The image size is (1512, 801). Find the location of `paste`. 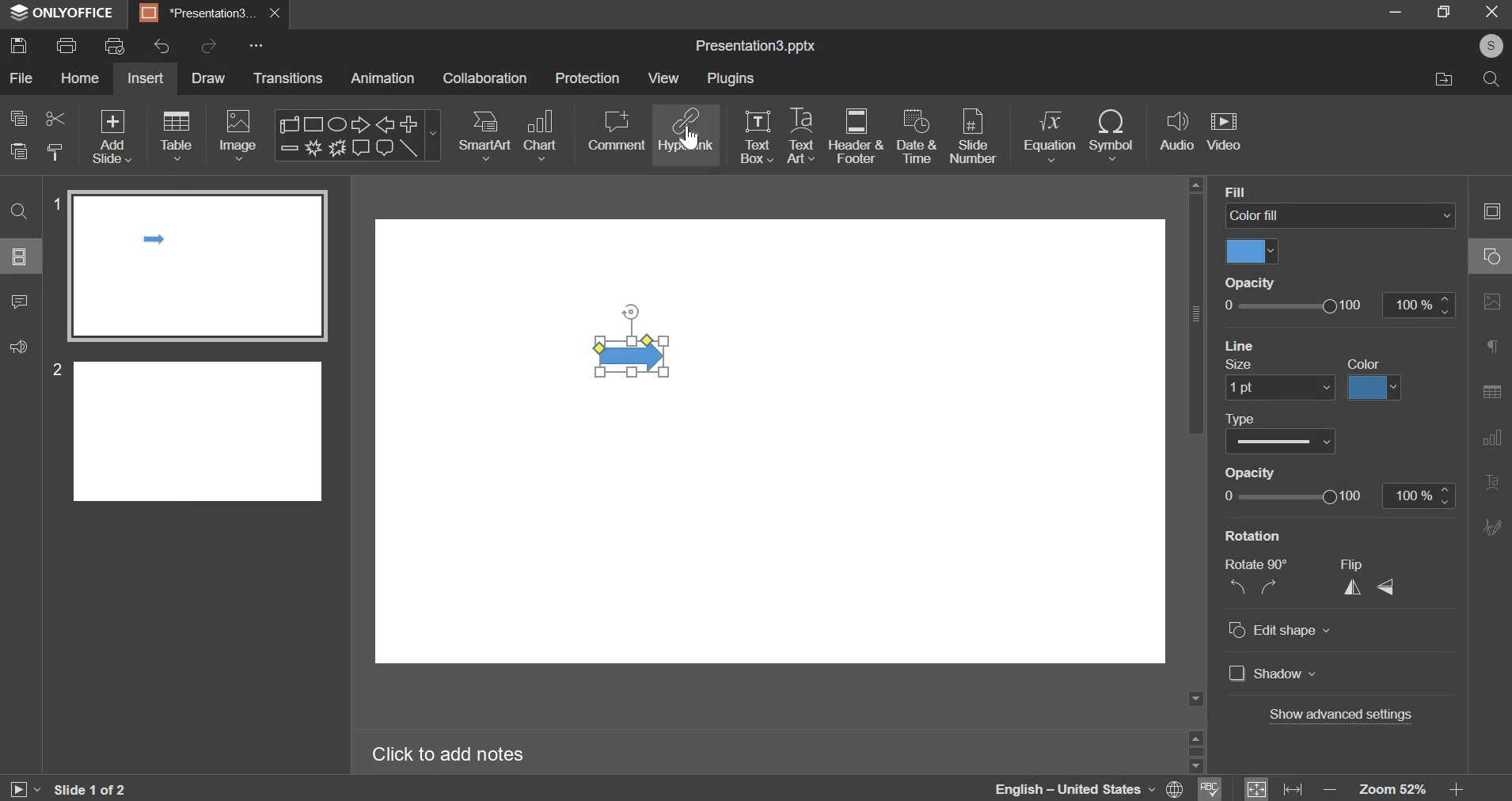

paste is located at coordinates (56, 150).